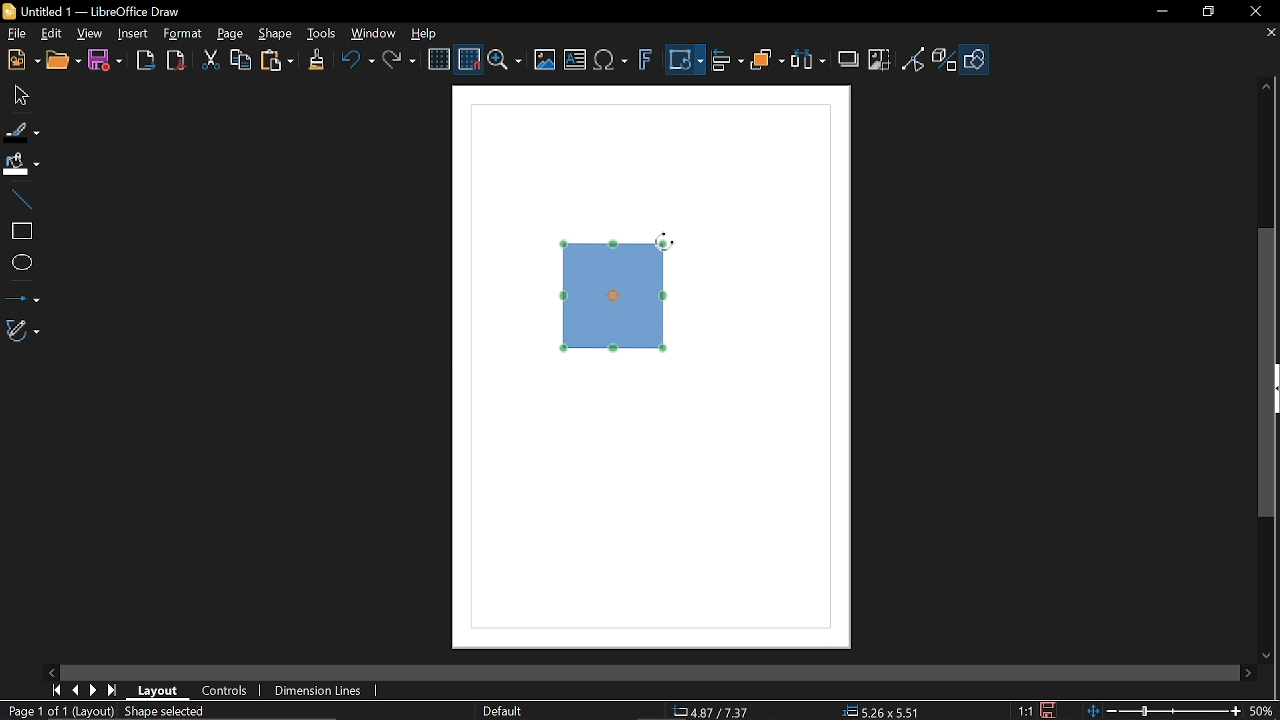 The width and height of the screenshot is (1280, 720). I want to click on Snap to grid, so click(470, 60).